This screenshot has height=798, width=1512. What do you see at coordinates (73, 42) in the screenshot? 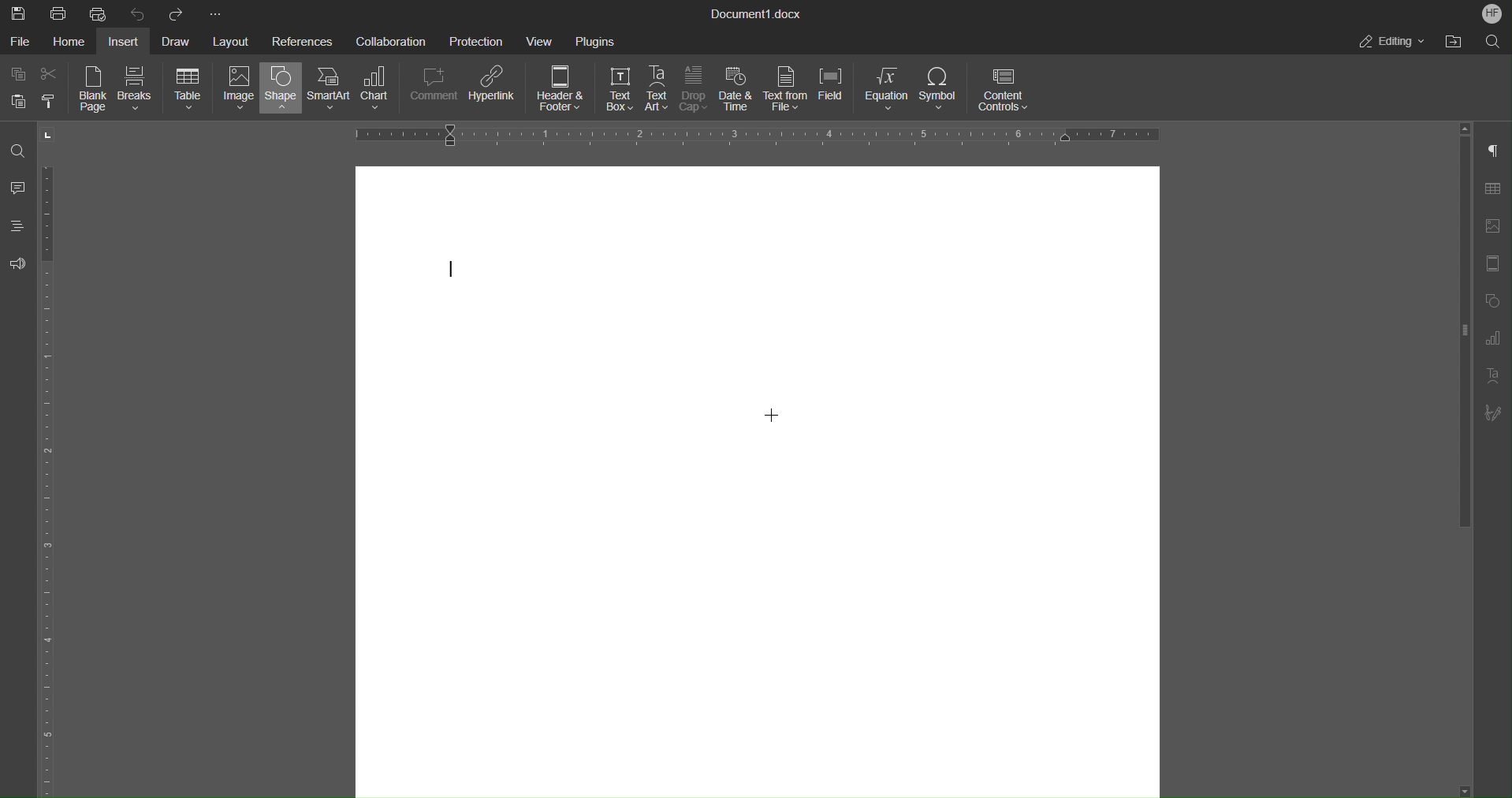
I see `Home` at bounding box center [73, 42].